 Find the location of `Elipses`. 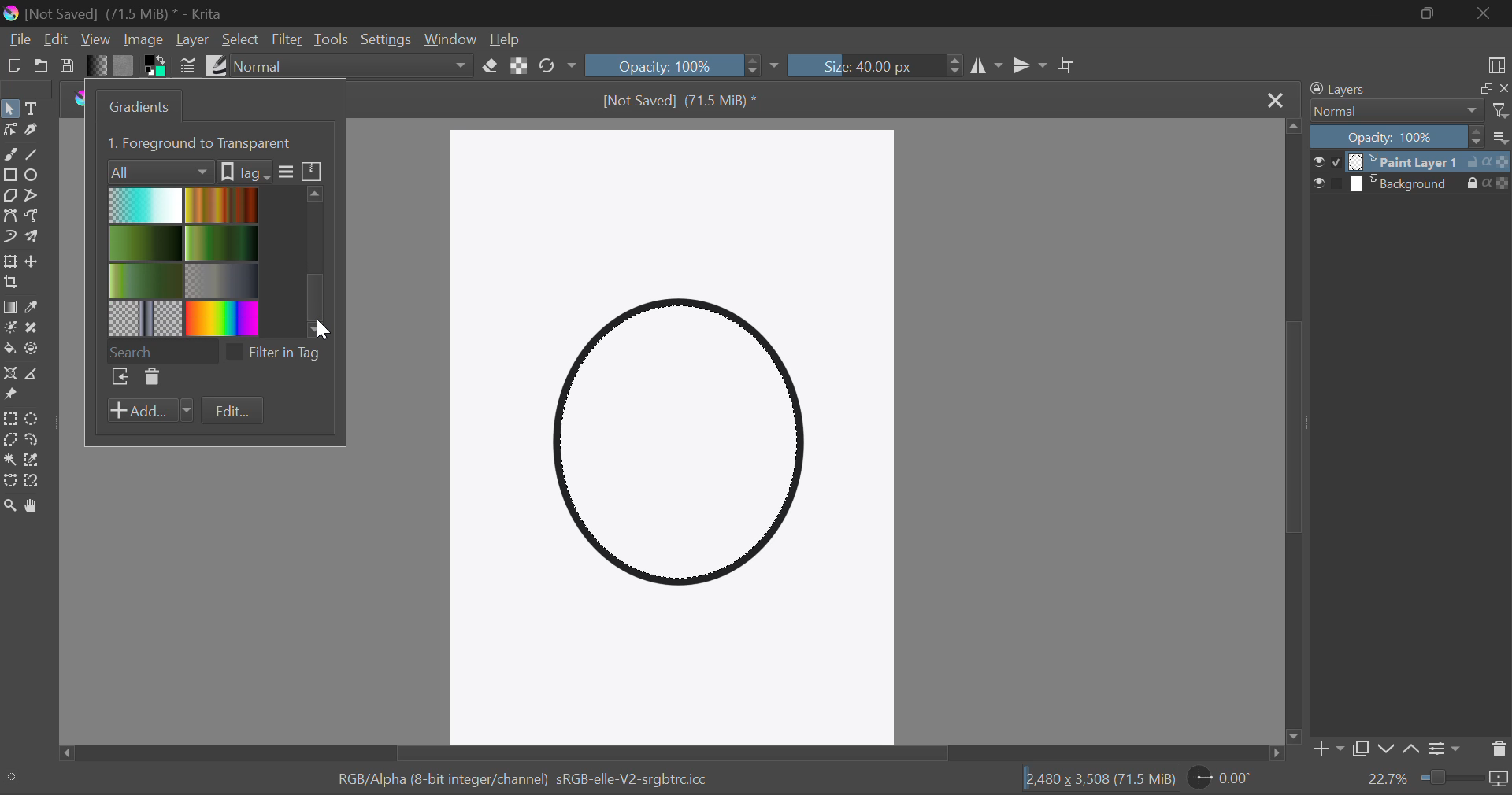

Elipses is located at coordinates (36, 176).